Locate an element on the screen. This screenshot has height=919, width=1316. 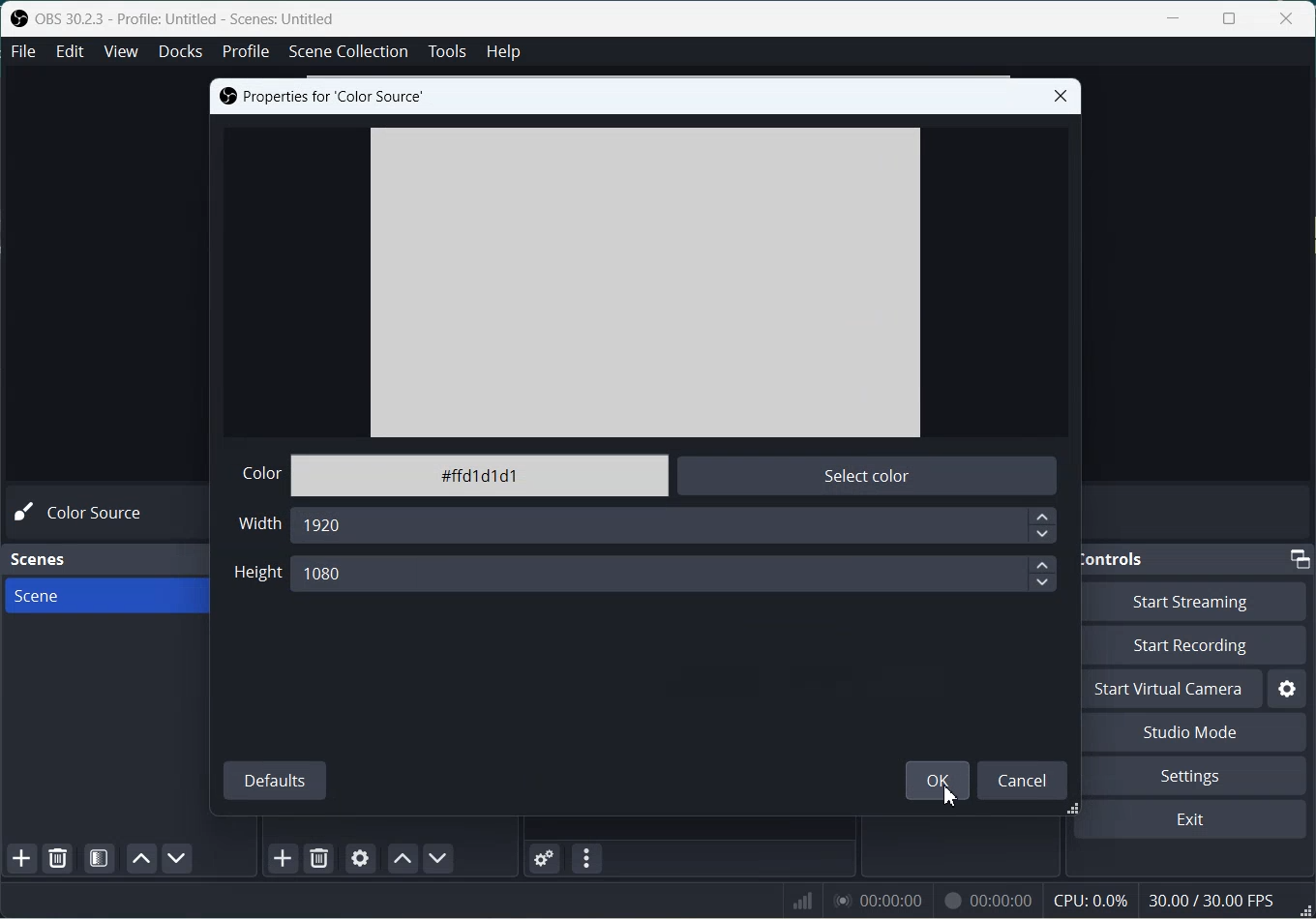
00:00:00 is located at coordinates (985, 899).